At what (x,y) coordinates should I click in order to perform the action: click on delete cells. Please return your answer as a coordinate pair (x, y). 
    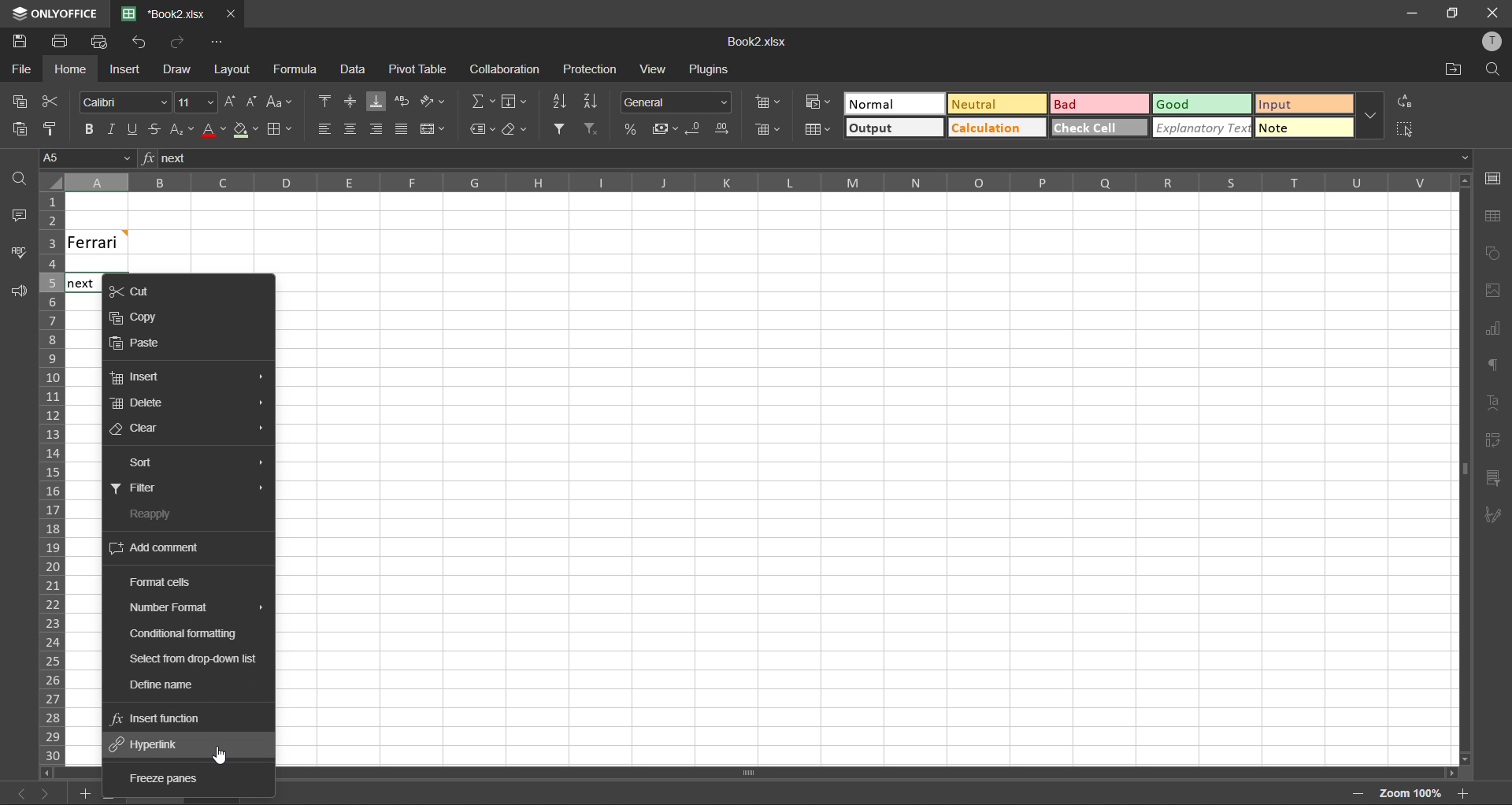
    Looking at the image, I should click on (770, 129).